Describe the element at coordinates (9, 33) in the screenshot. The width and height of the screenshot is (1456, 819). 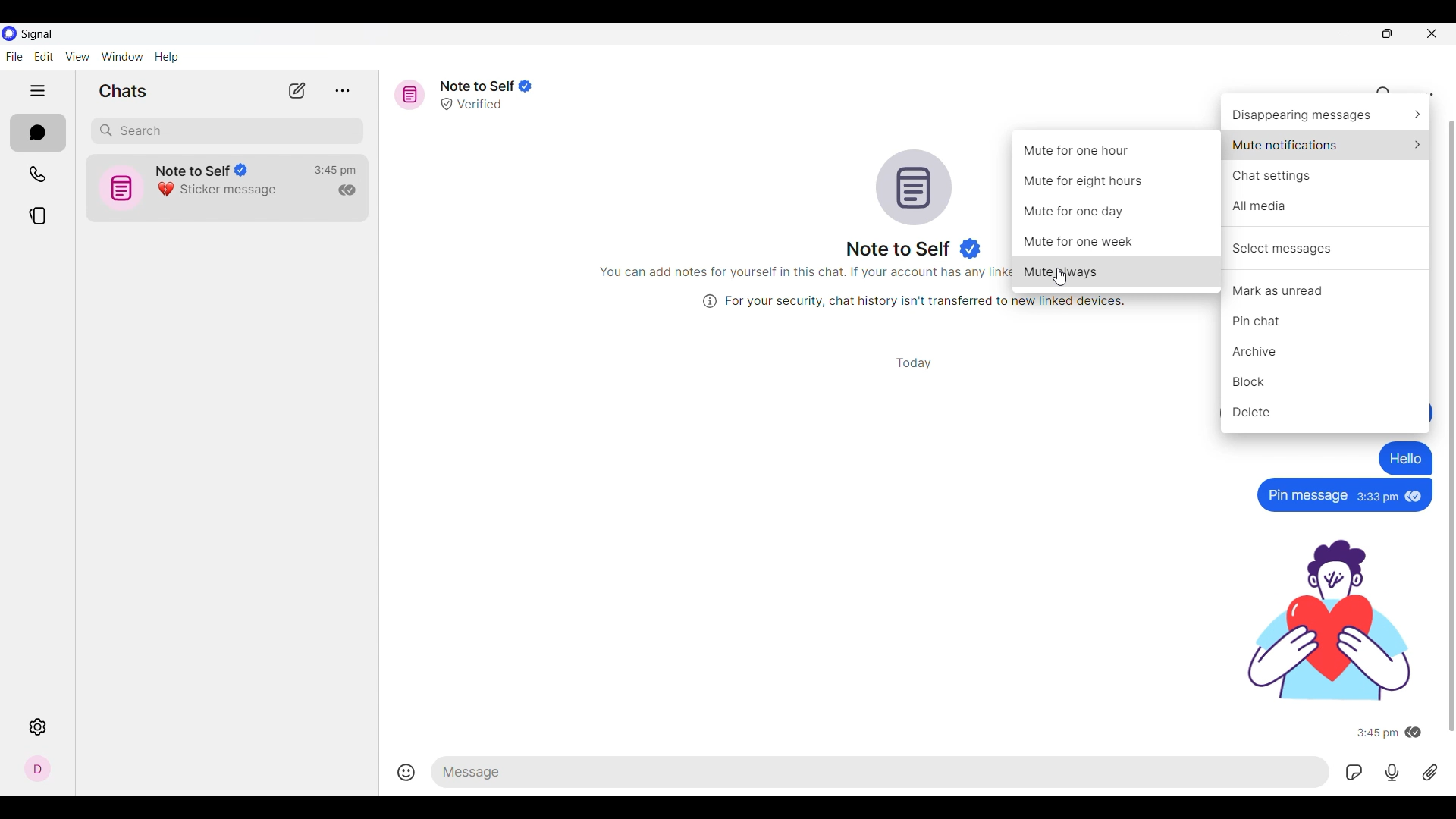
I see `Software logo` at that location.